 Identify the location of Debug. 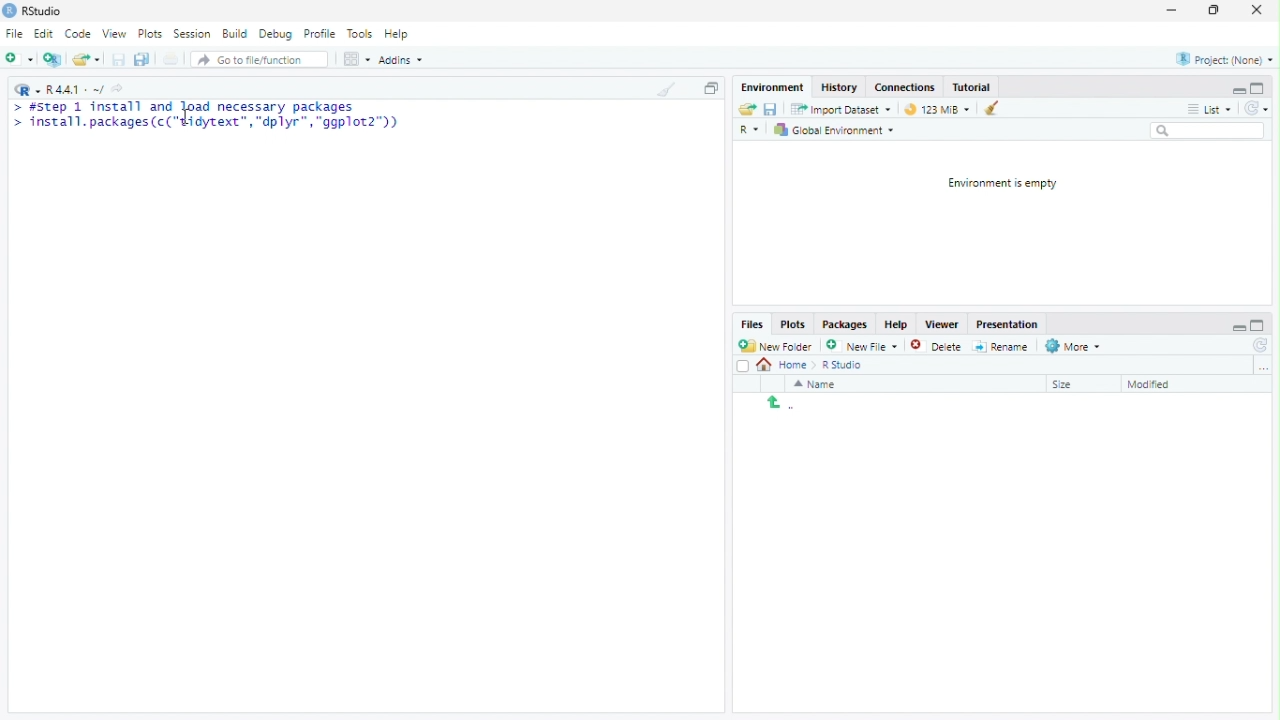
(276, 32).